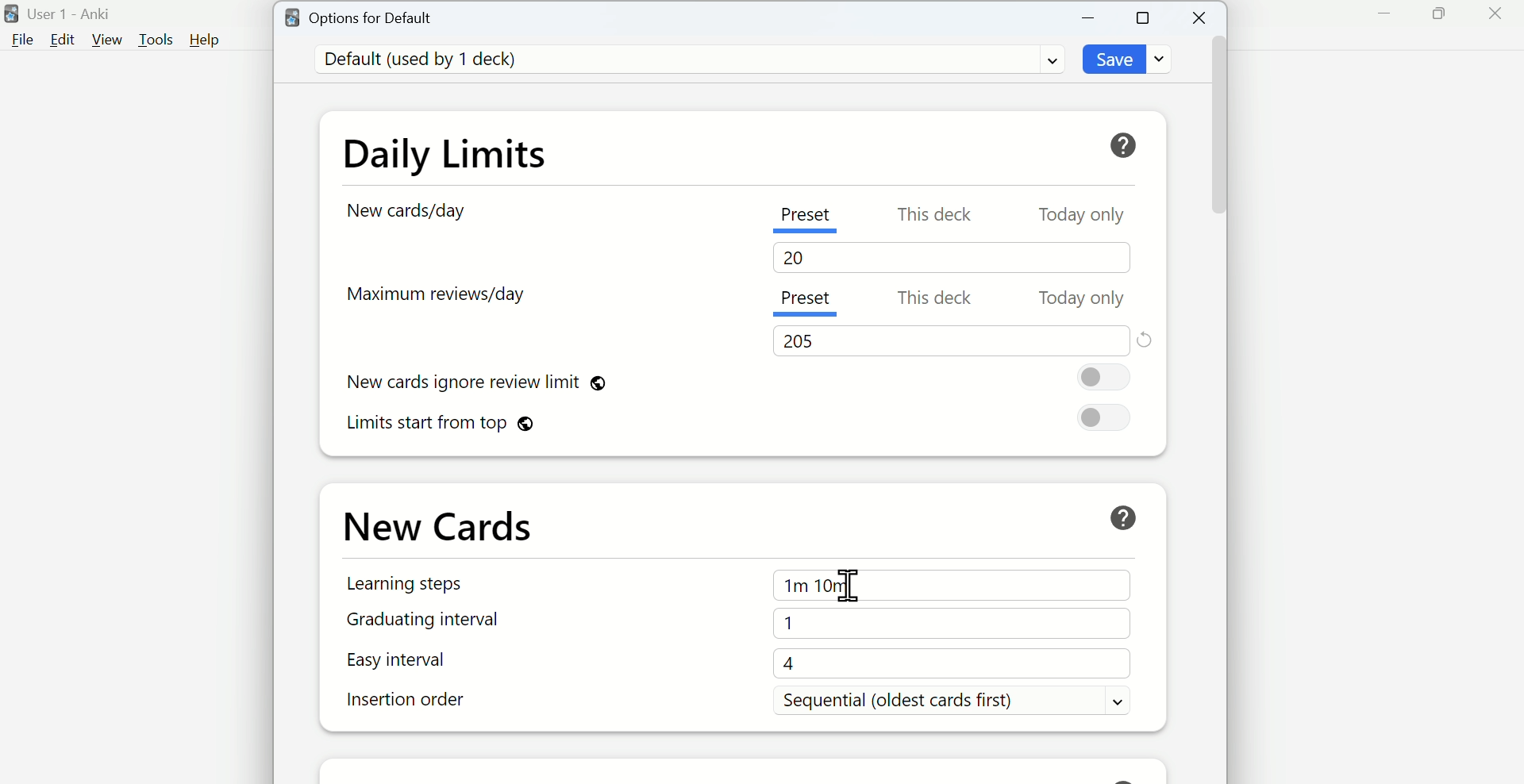 This screenshot has width=1524, height=784. Describe the element at coordinates (1081, 216) in the screenshot. I see `Today  only` at that location.